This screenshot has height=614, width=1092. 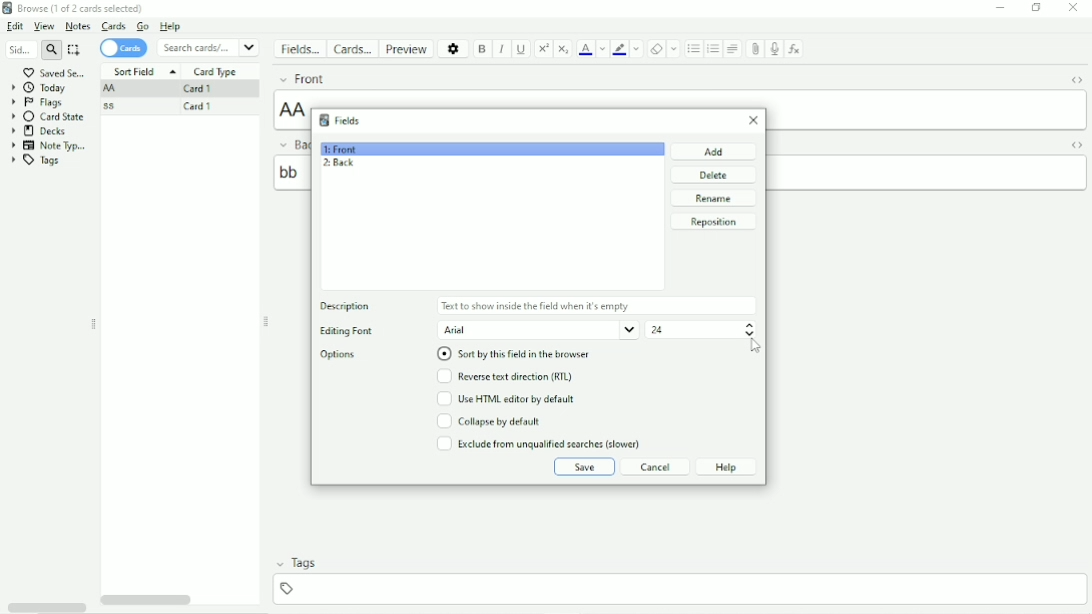 What do you see at coordinates (927, 173) in the screenshot?
I see `bb` at bounding box center [927, 173].